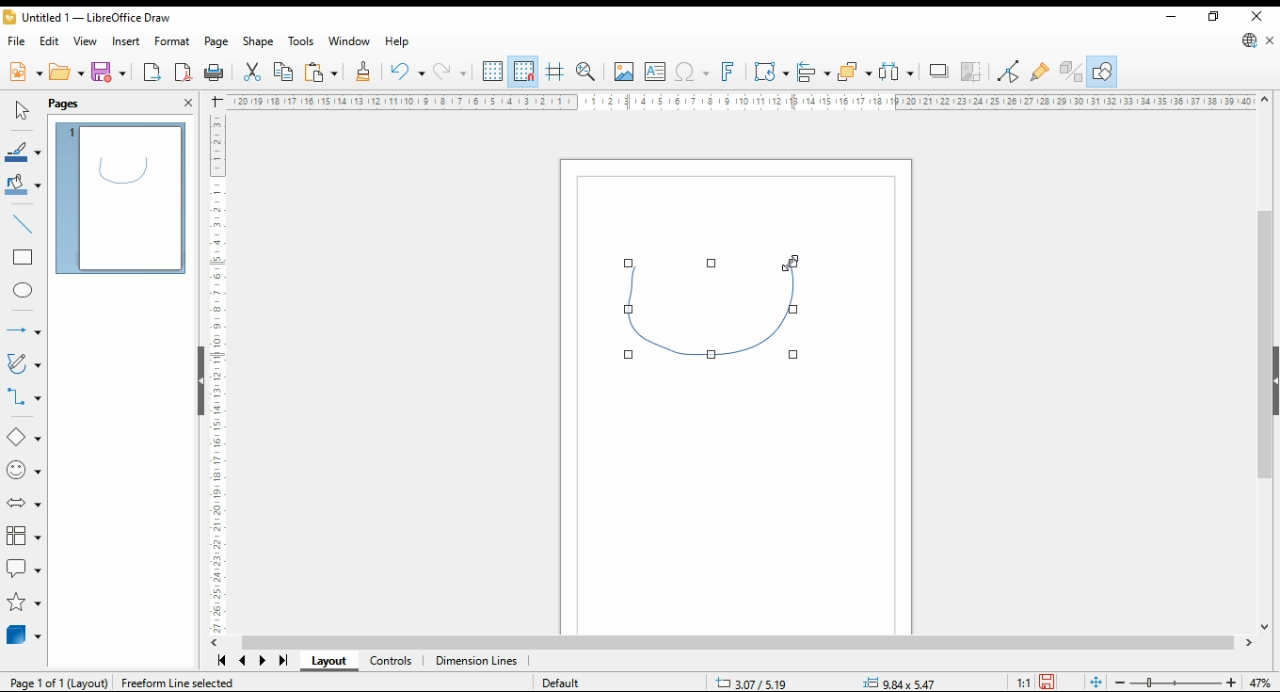  What do you see at coordinates (1009, 72) in the screenshot?
I see `toggle point edit mode` at bounding box center [1009, 72].